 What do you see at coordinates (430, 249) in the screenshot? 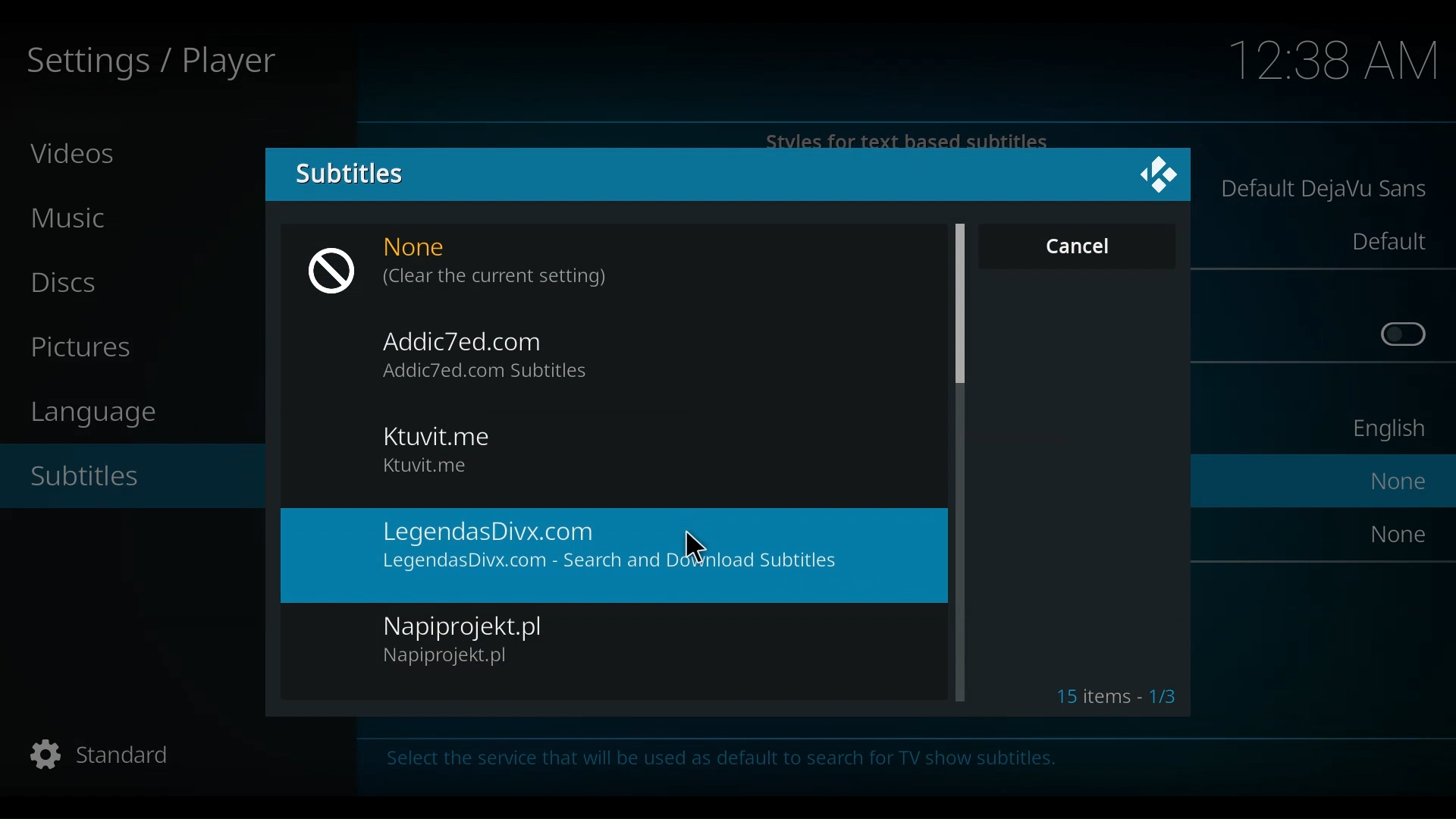
I see `None` at bounding box center [430, 249].